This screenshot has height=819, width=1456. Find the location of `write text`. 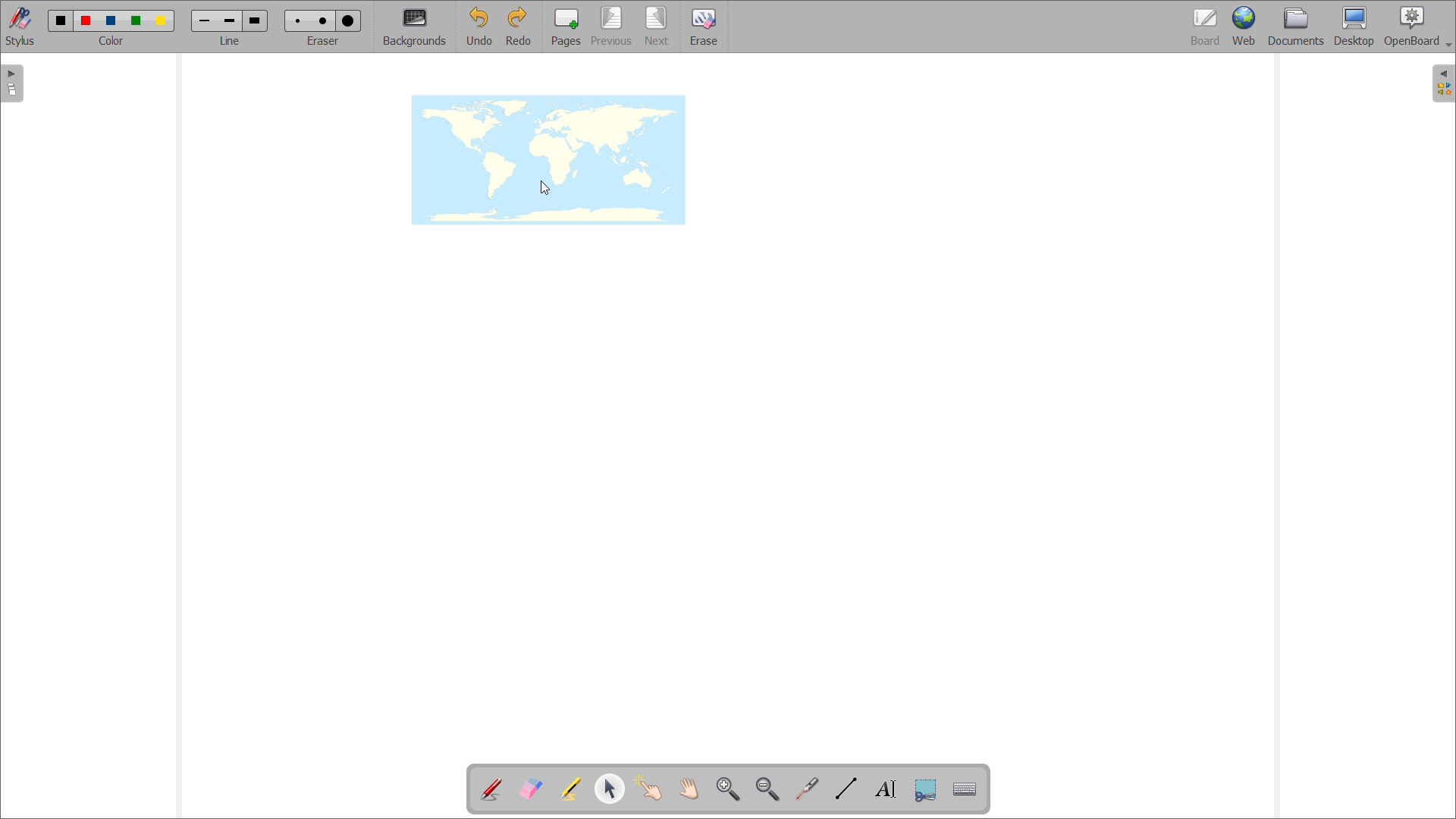

write text is located at coordinates (886, 789).